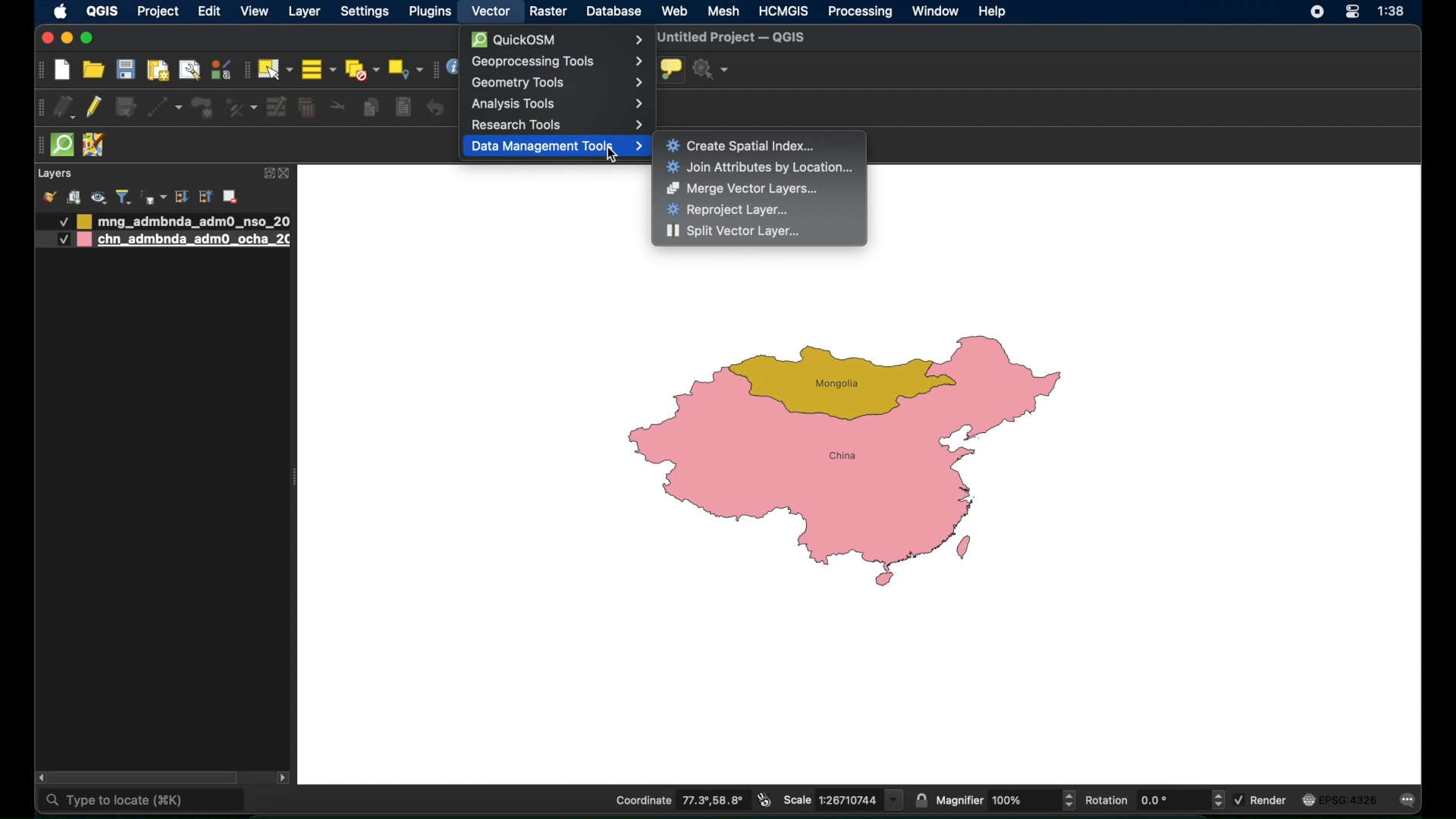 The image size is (1456, 819). Describe the element at coordinates (558, 85) in the screenshot. I see `Geometry Tools` at that location.